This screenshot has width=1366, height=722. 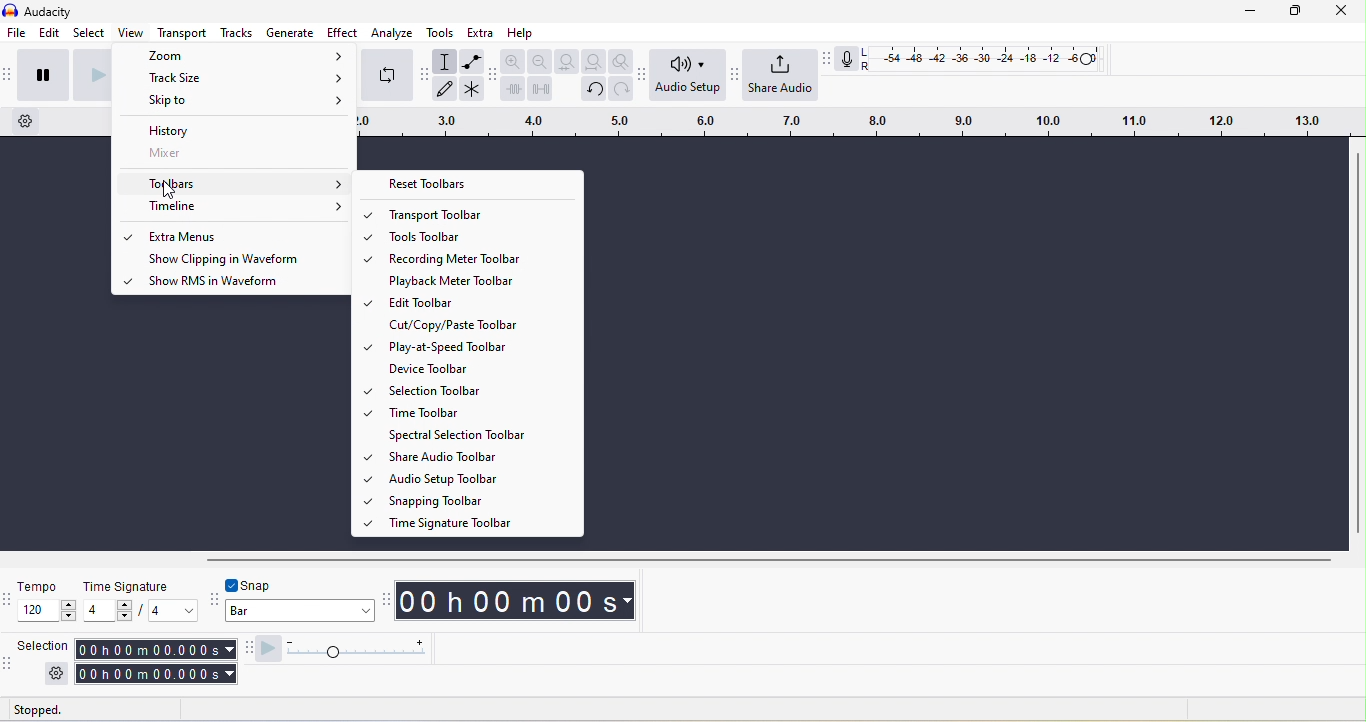 I want to click on Edit toolbar, so click(x=479, y=301).